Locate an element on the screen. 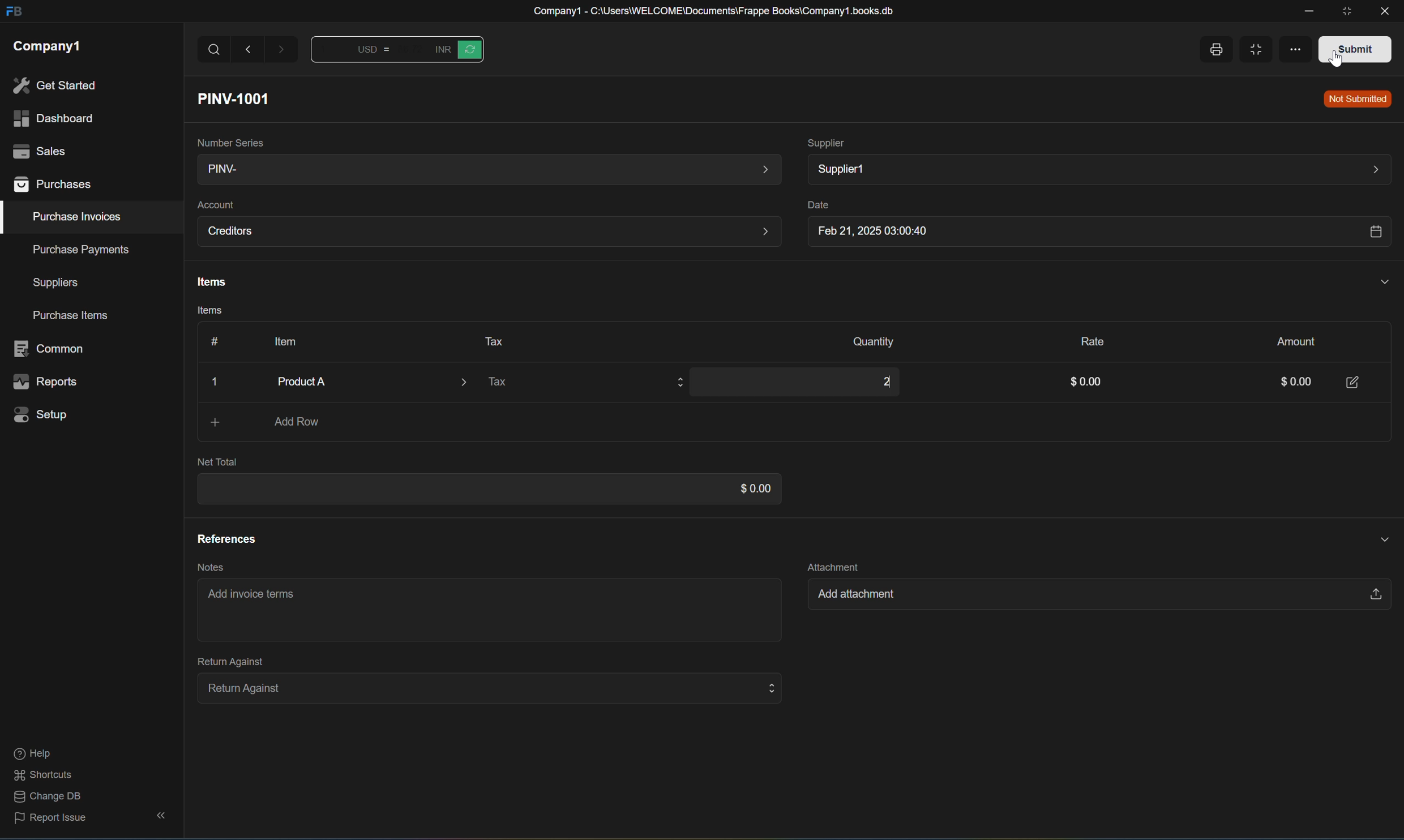 The height and width of the screenshot is (840, 1404). Add is located at coordinates (207, 422).